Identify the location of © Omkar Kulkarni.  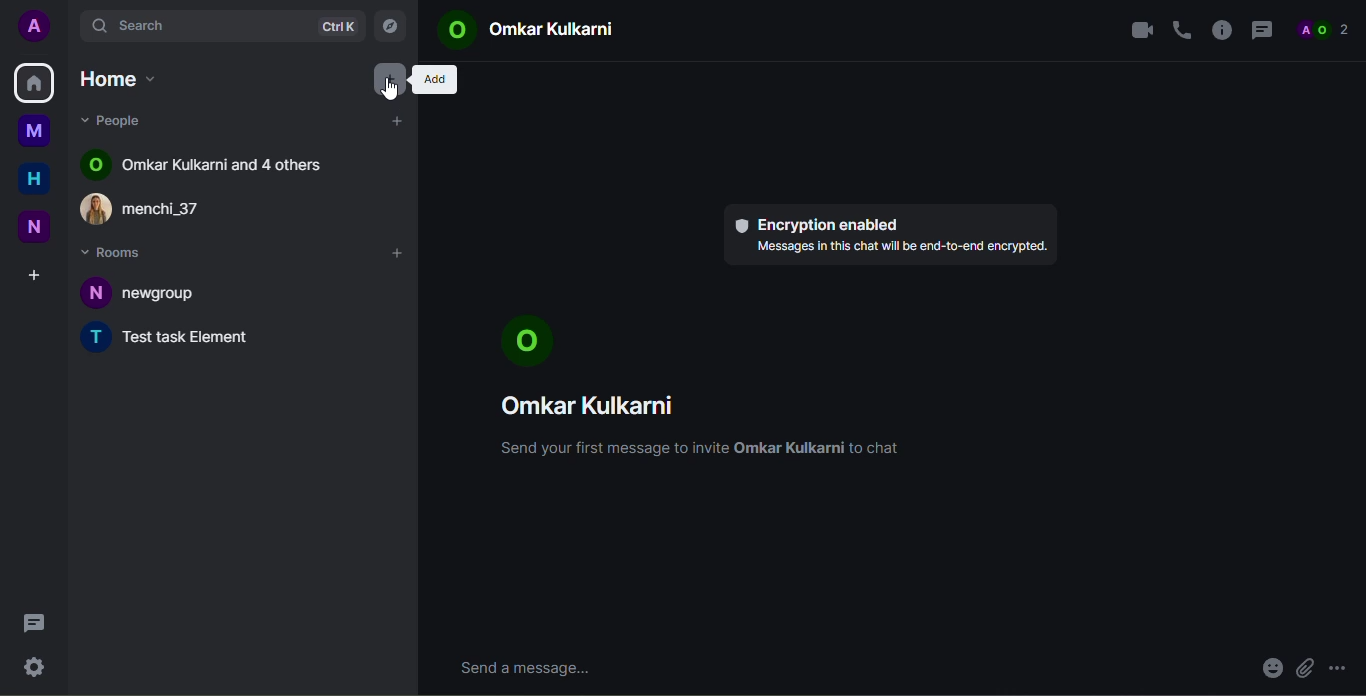
(522, 30).